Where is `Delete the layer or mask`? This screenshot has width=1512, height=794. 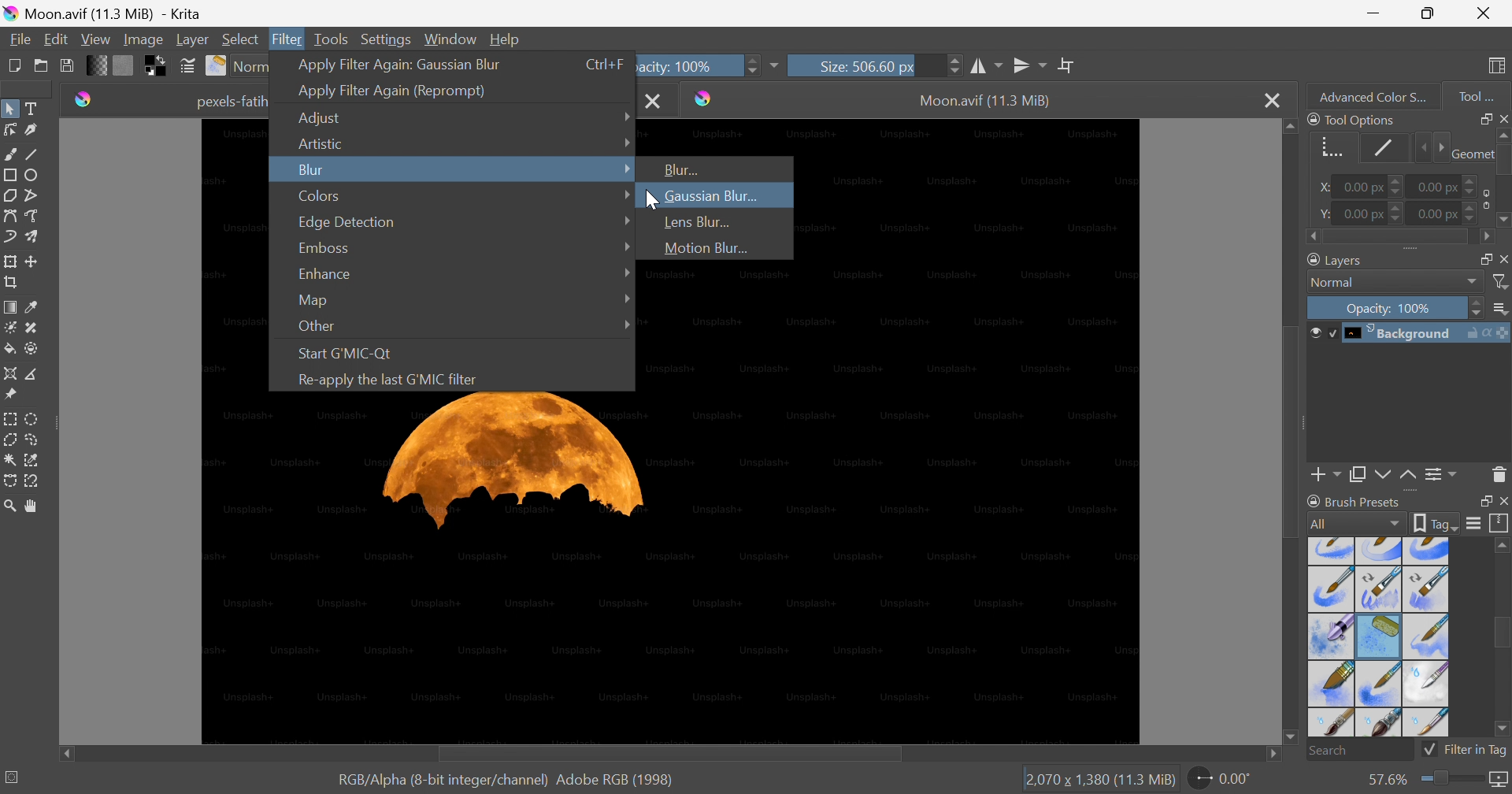 Delete the layer or mask is located at coordinates (1499, 477).